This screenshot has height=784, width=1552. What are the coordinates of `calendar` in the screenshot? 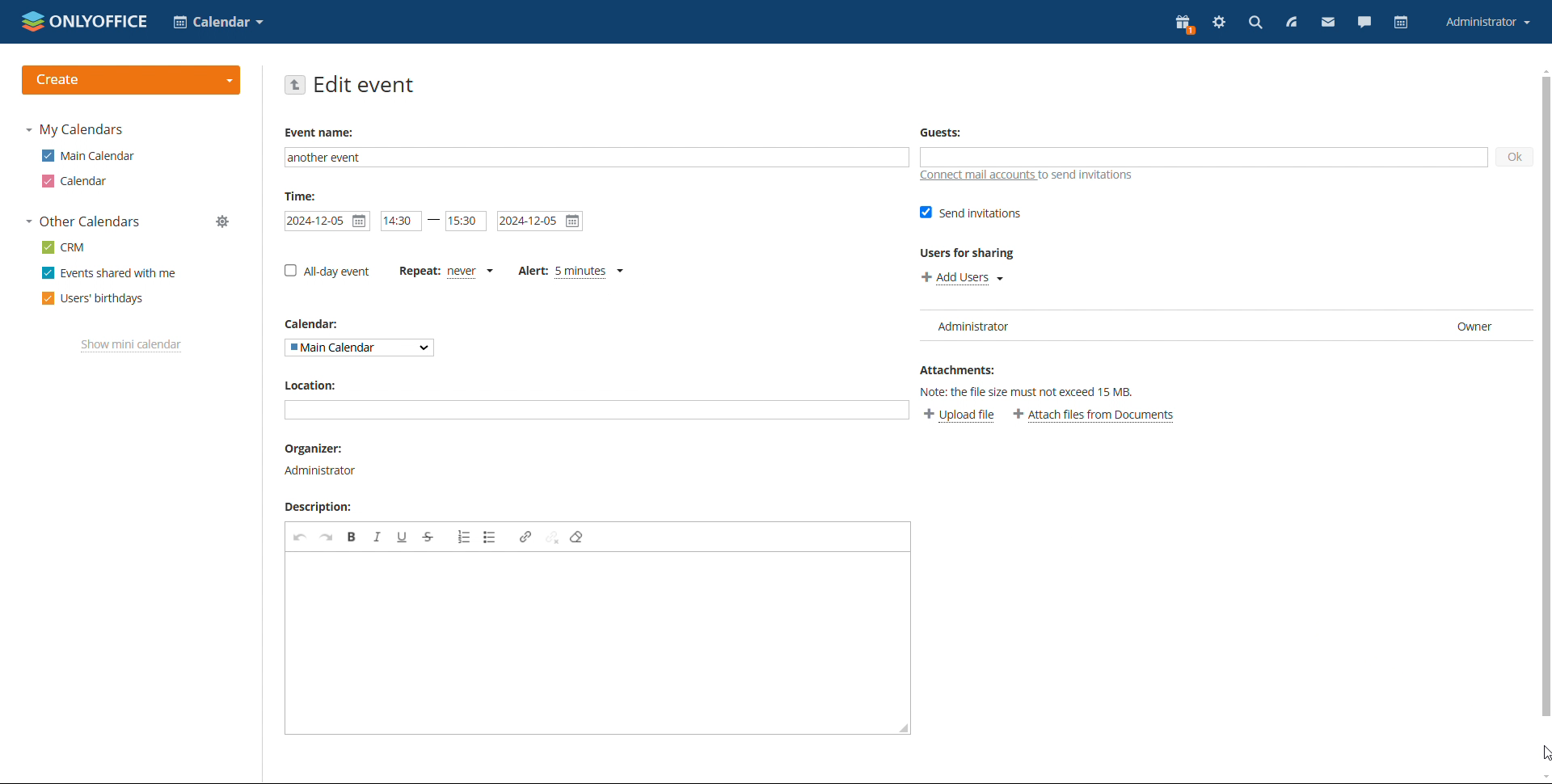 It's located at (1402, 23).